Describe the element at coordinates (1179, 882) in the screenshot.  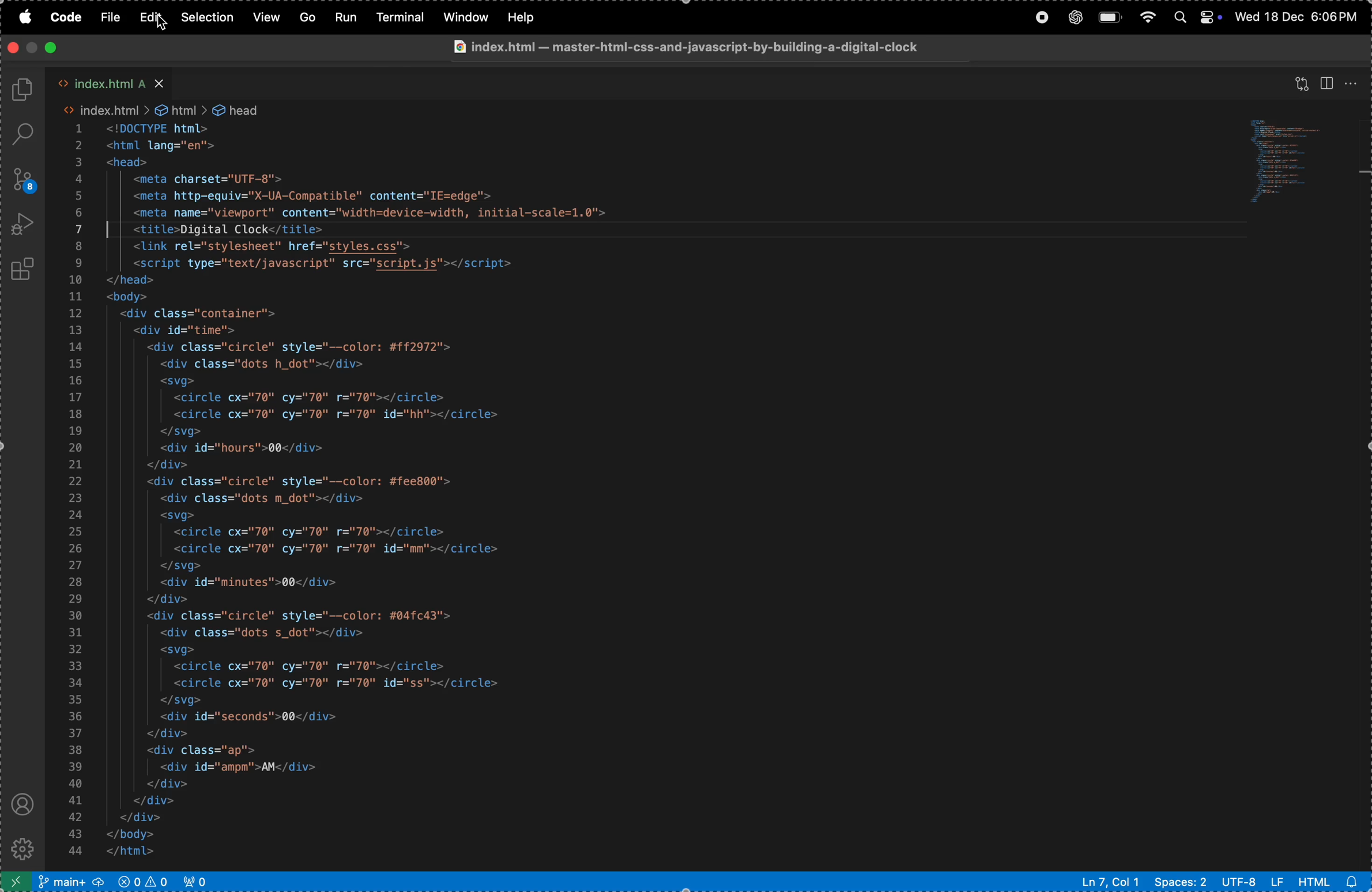
I see `spaces 2` at that location.